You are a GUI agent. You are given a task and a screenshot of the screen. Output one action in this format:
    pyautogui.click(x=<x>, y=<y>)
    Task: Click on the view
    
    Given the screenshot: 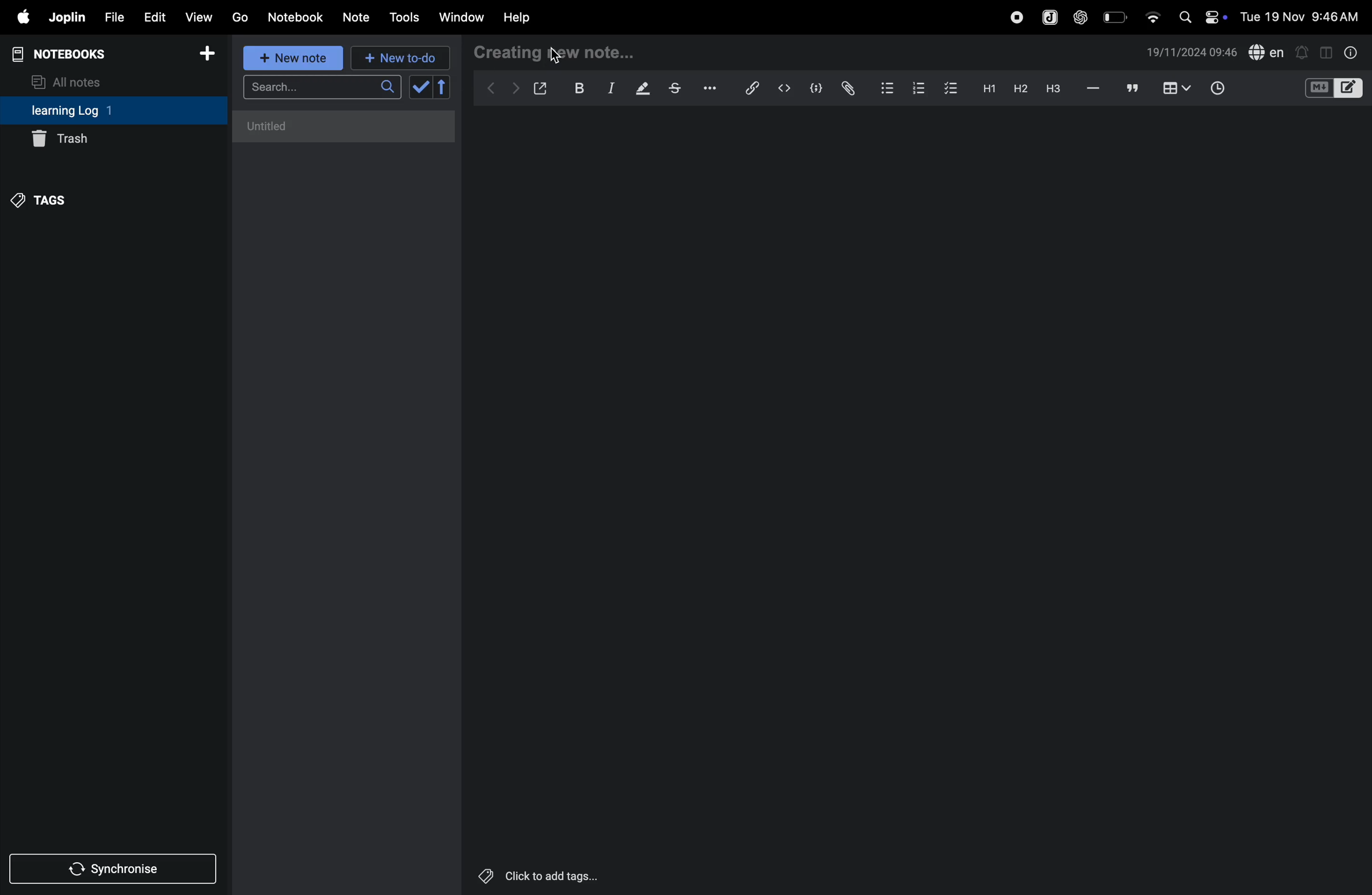 What is the action you would take?
    pyautogui.click(x=199, y=17)
    